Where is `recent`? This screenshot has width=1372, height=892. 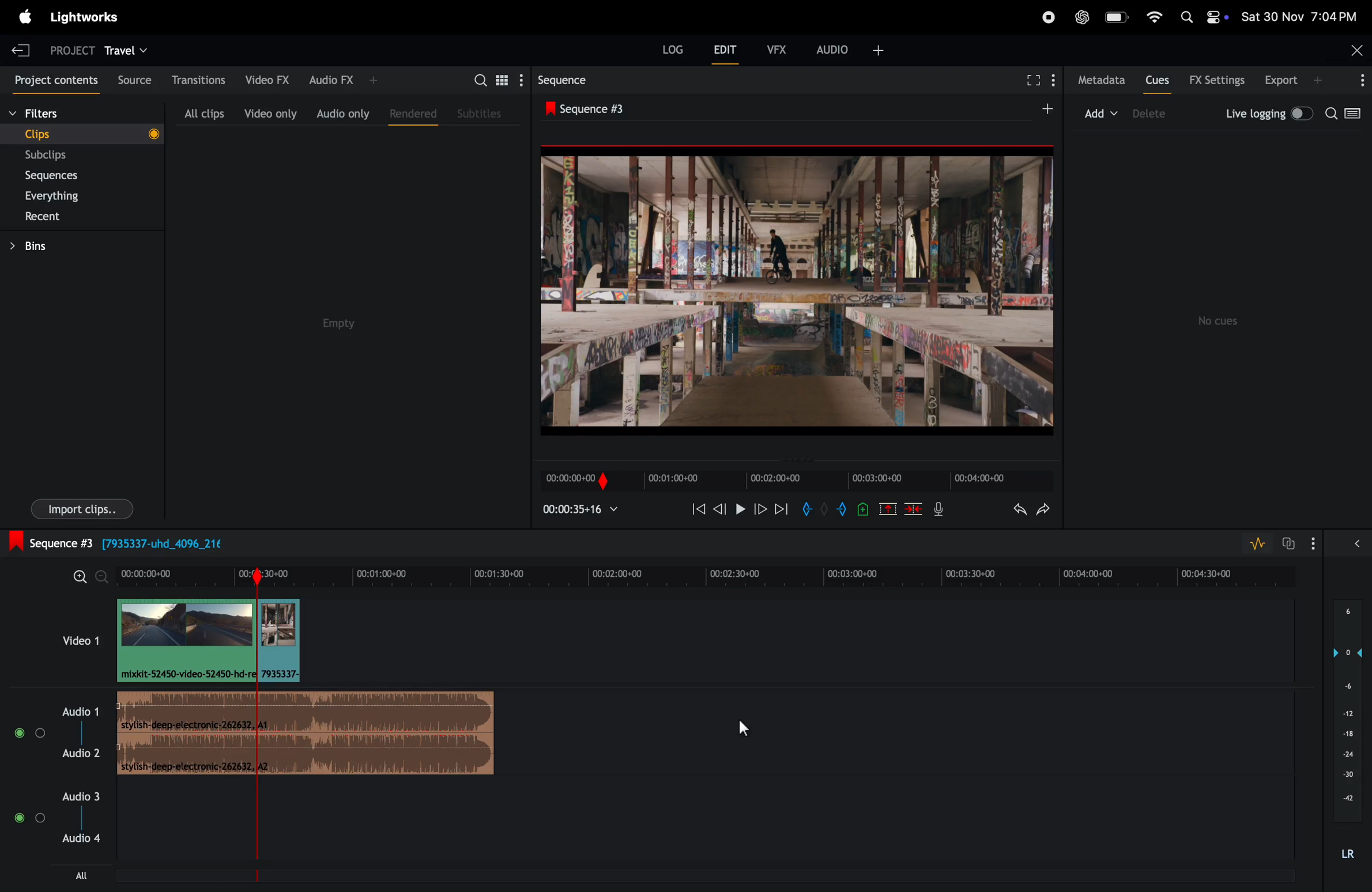
recent is located at coordinates (67, 216).